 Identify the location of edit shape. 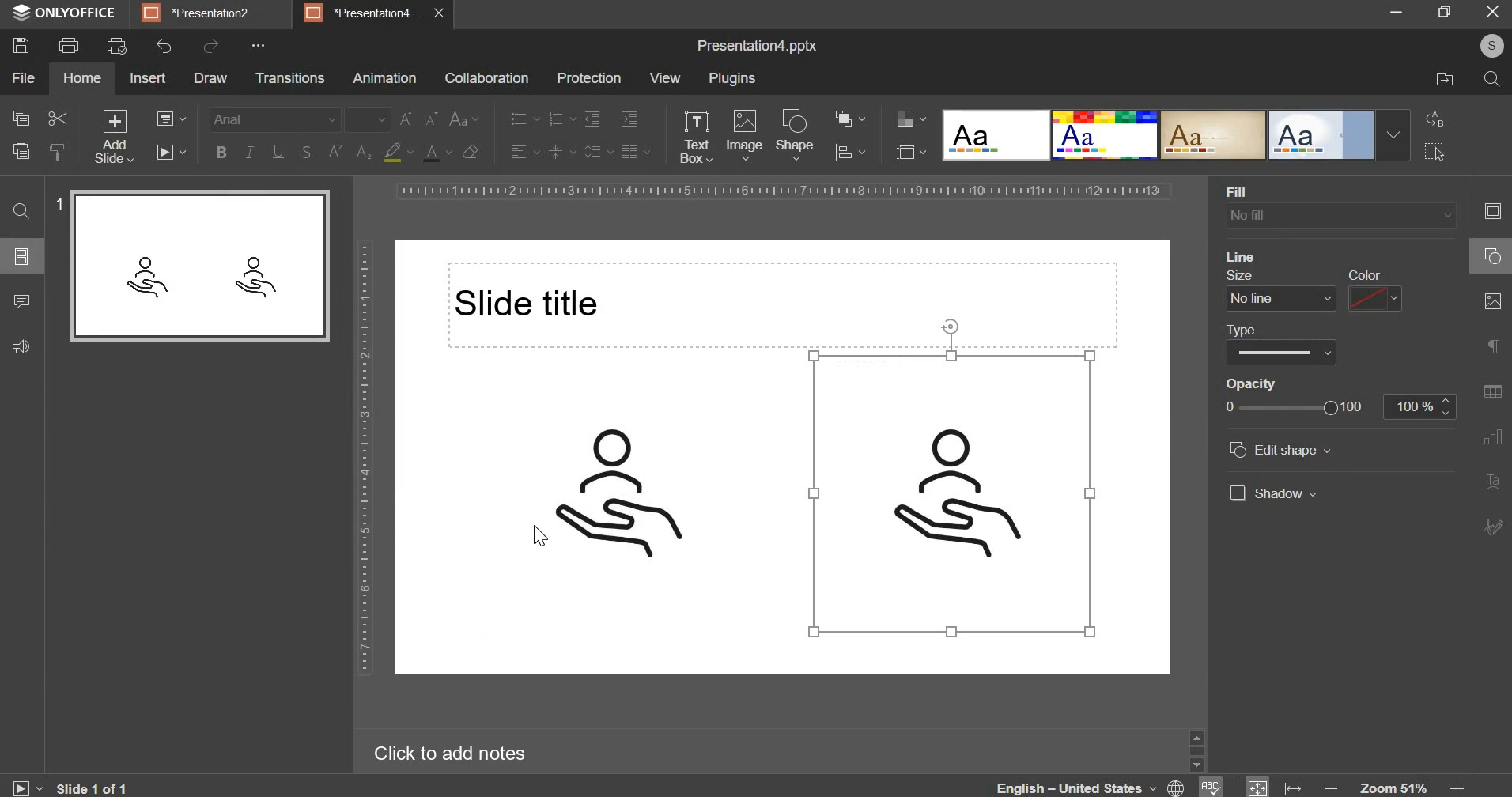
(1282, 450).